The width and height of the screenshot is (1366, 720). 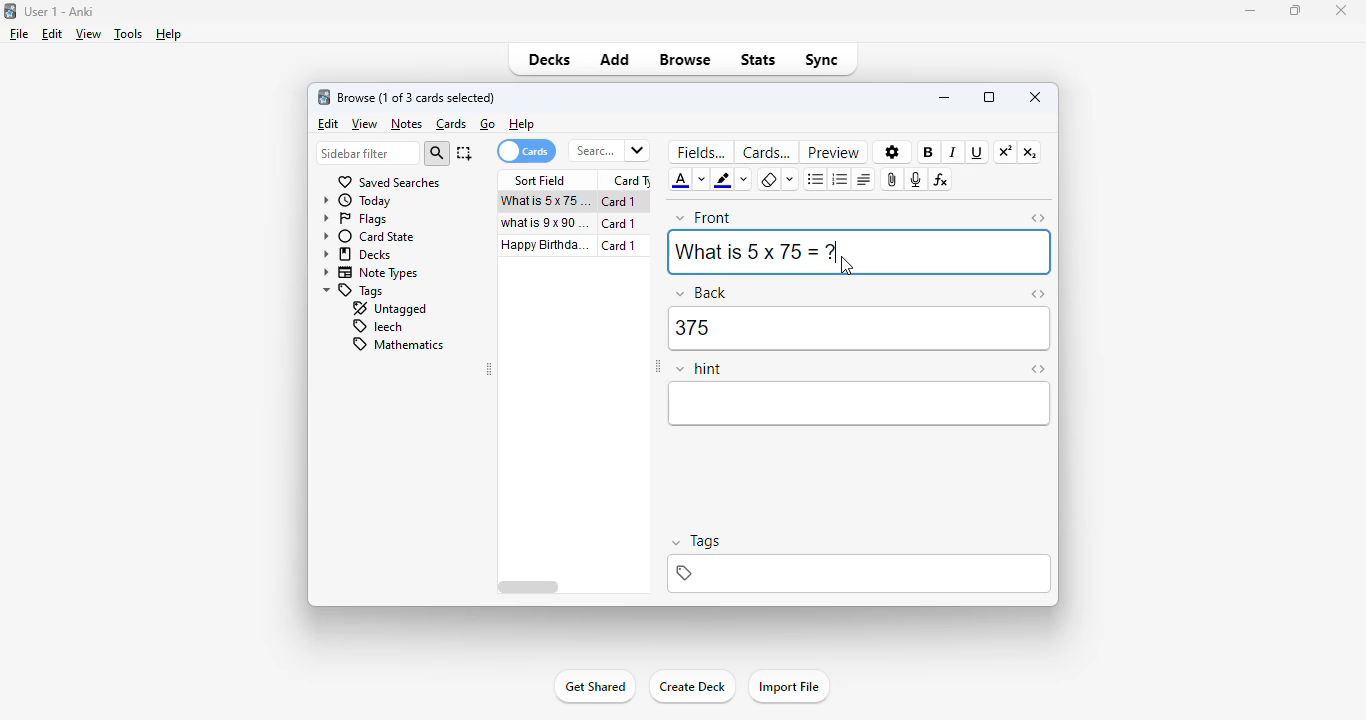 I want to click on edit, so click(x=328, y=123).